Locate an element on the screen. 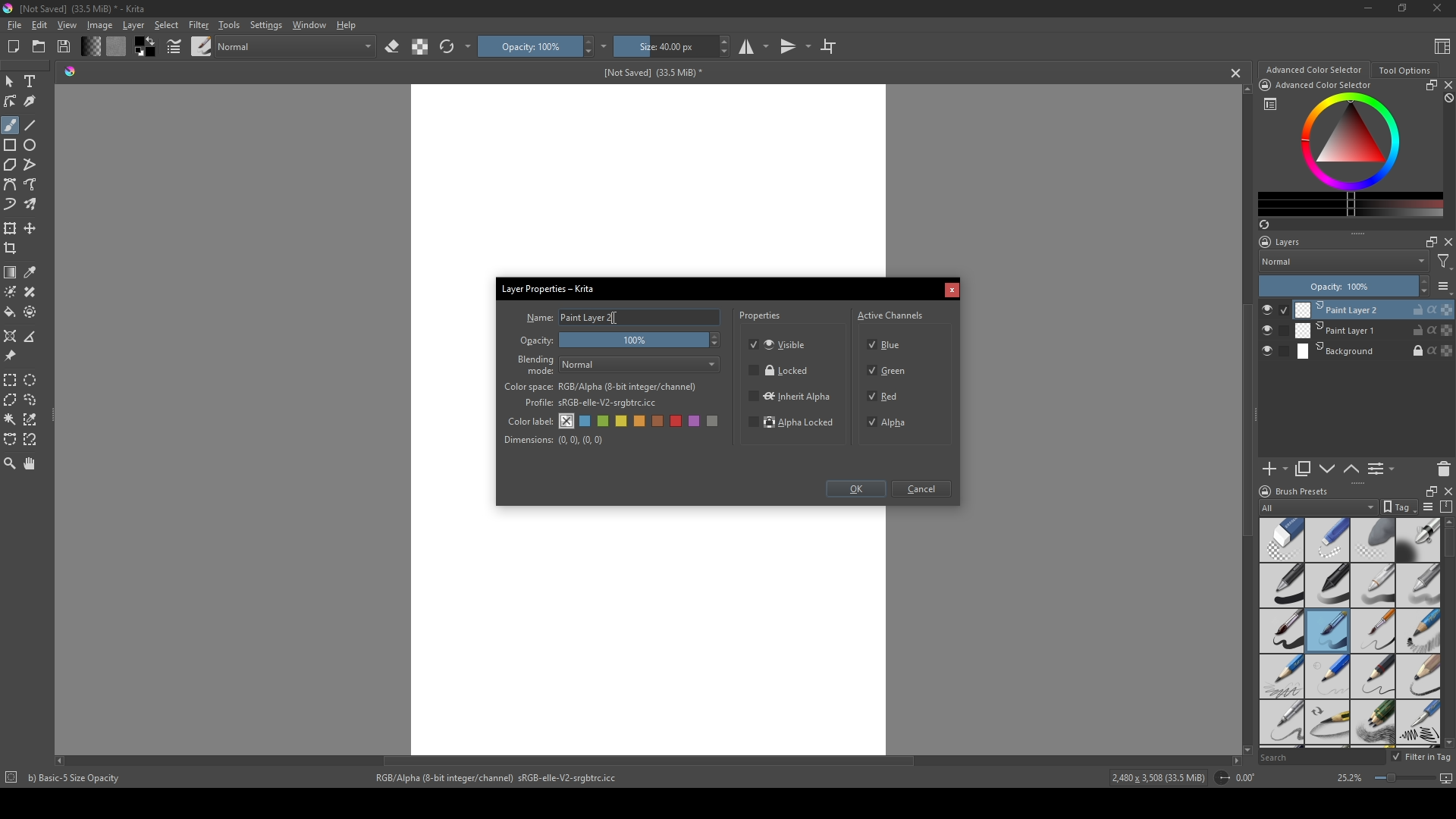  Dimensions (0,0),(0,0) is located at coordinates (554, 440).